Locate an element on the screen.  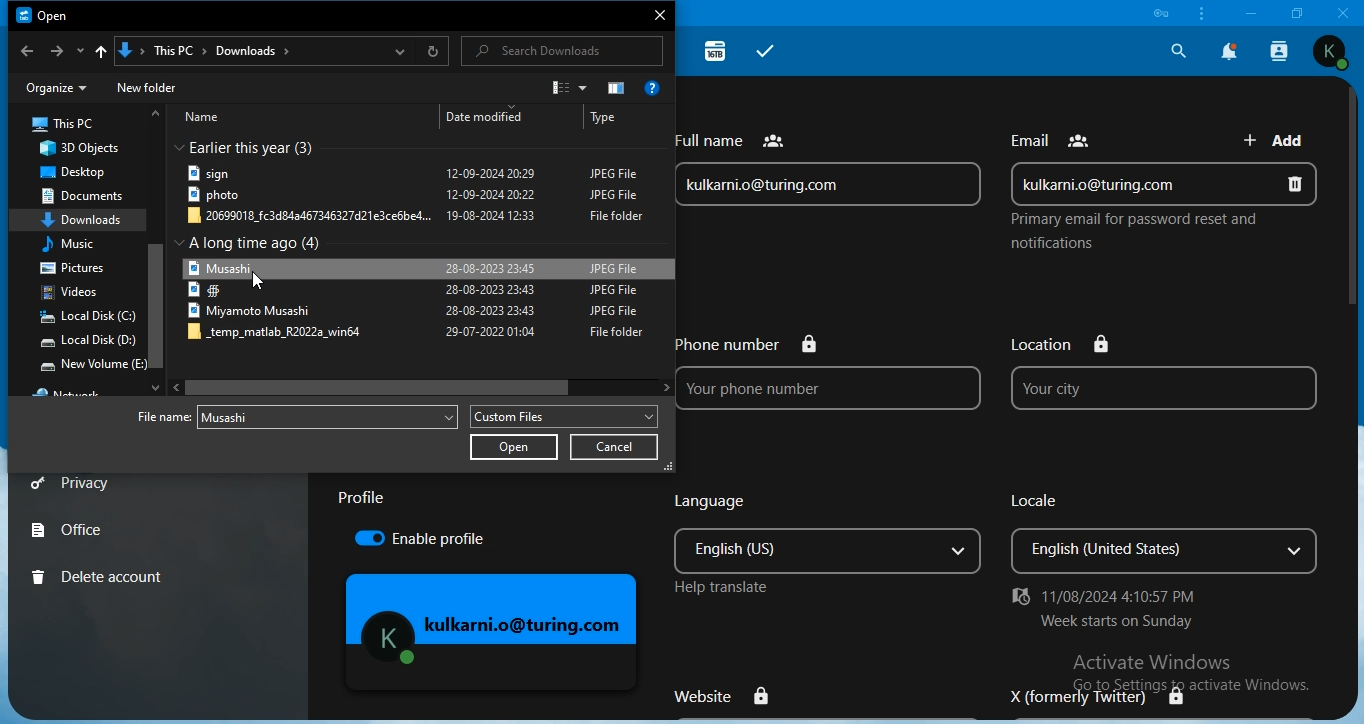
file is located at coordinates (419, 334).